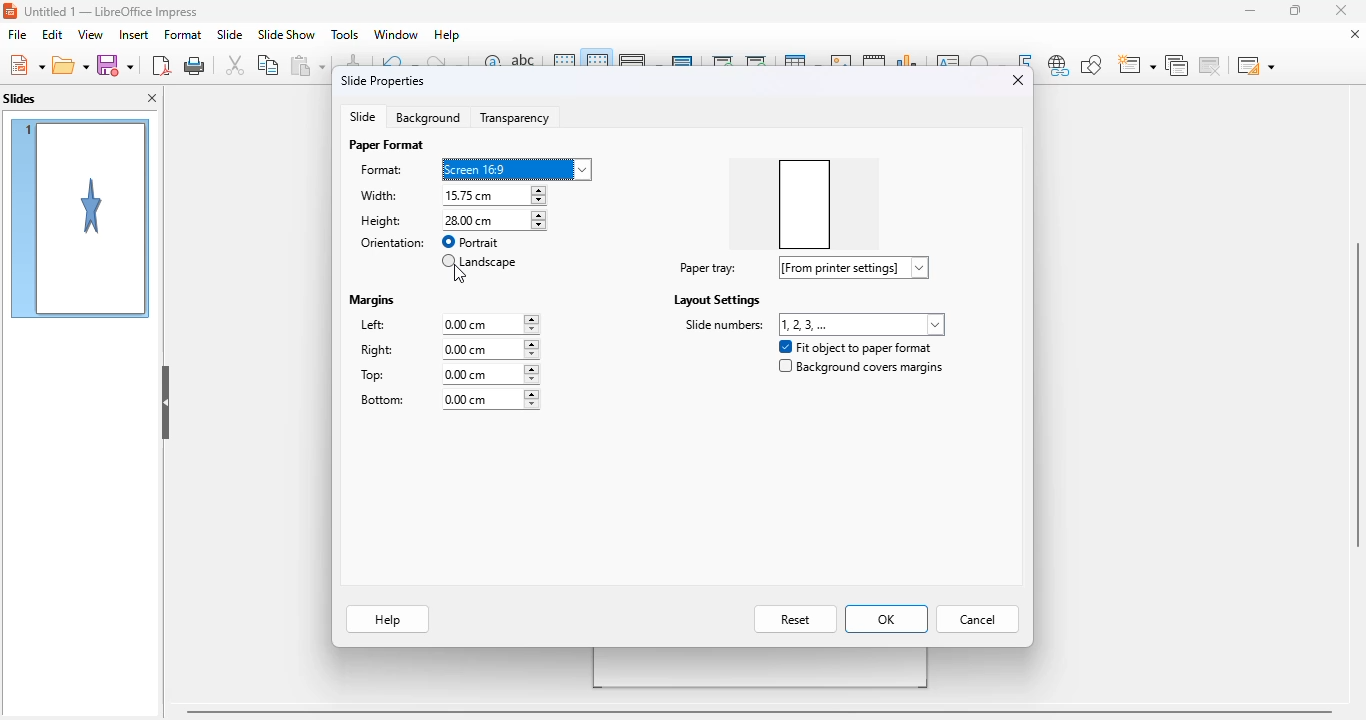 This screenshot has width=1366, height=720. I want to click on decrease left margin, so click(533, 331).